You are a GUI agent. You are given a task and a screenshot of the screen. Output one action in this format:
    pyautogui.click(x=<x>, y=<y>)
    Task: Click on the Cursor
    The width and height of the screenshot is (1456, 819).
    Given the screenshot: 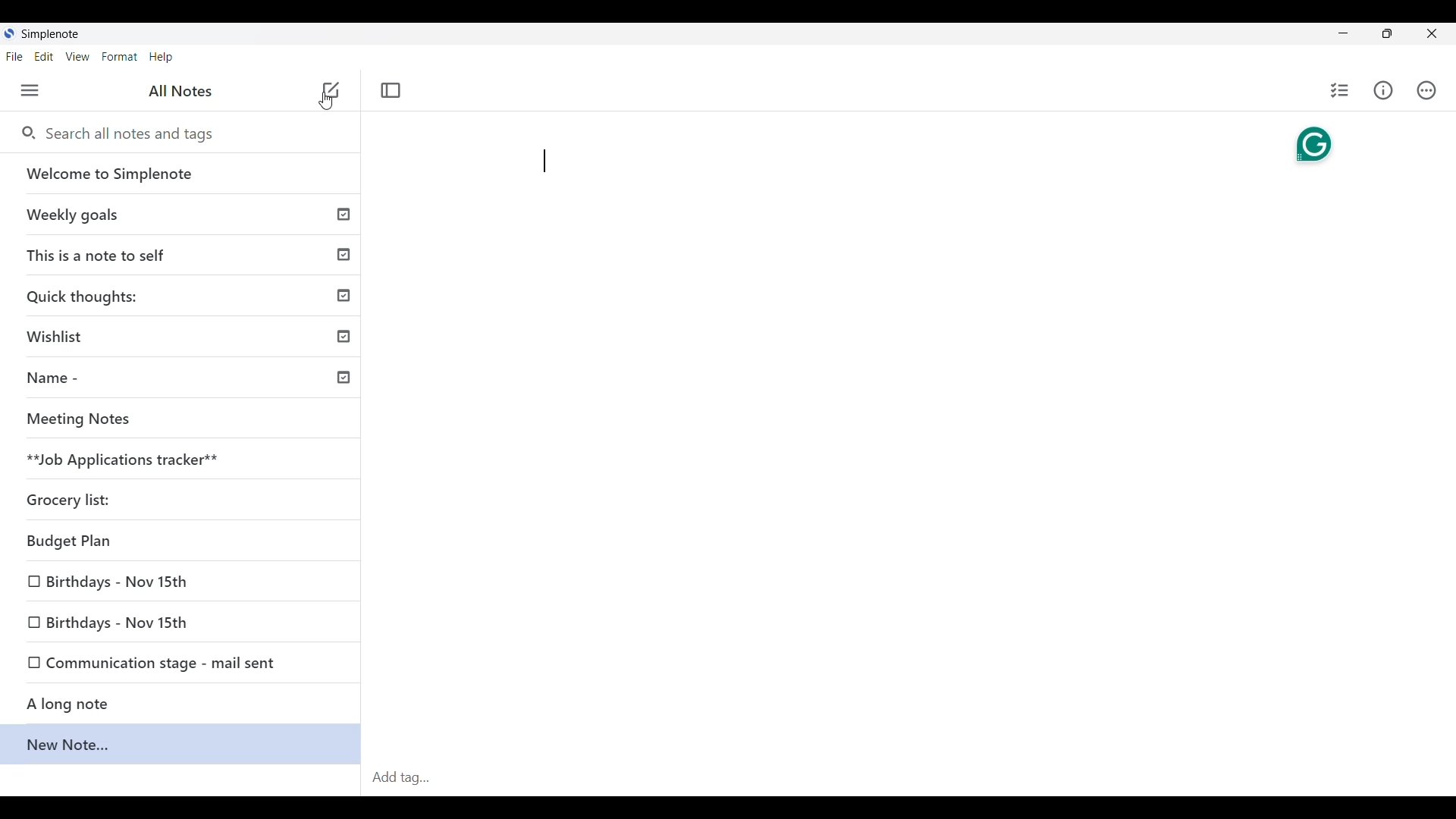 What is the action you would take?
    pyautogui.click(x=331, y=106)
    